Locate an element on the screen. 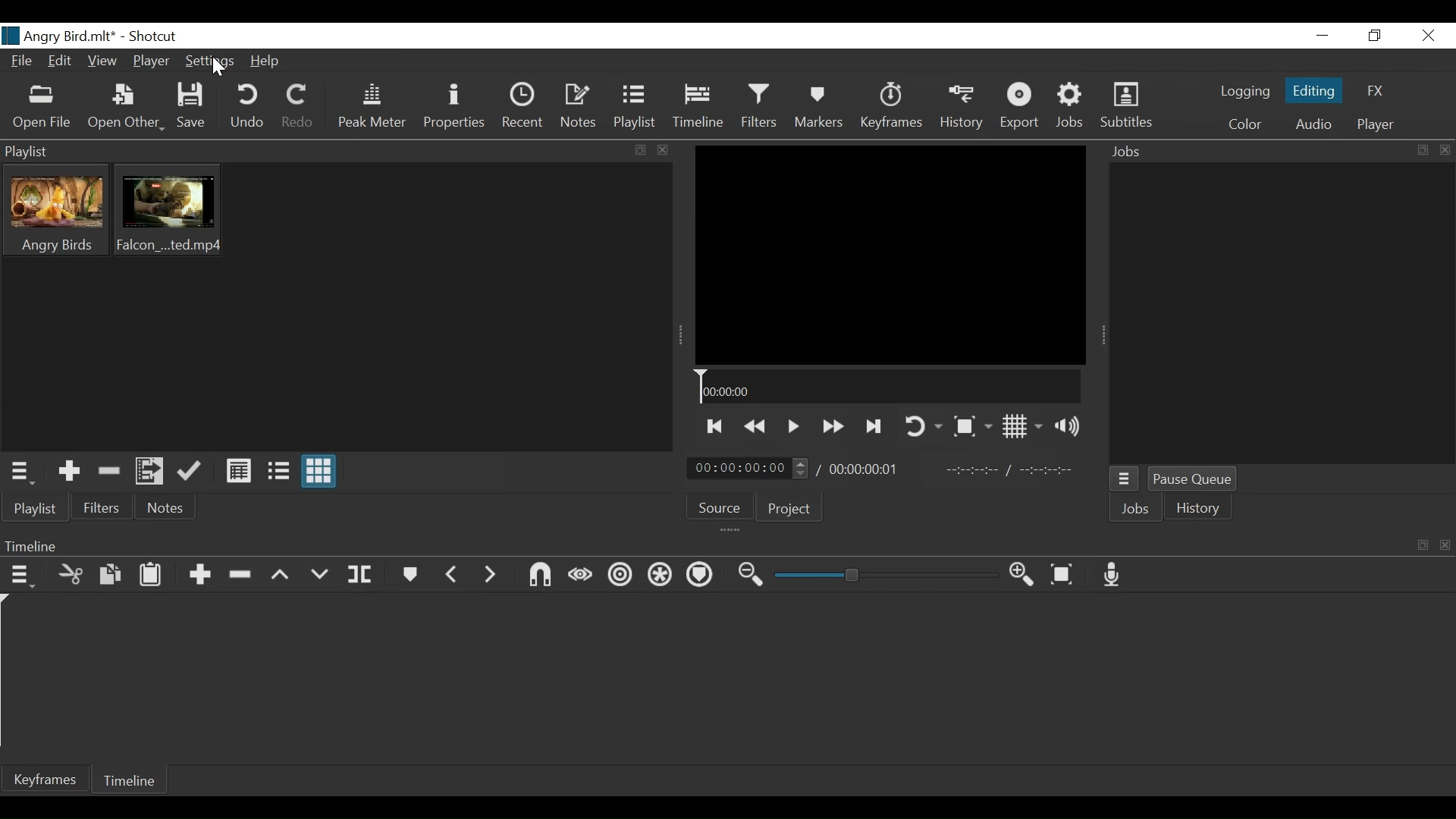 The width and height of the screenshot is (1456, 819). Toggle player looping is located at coordinates (921, 427).